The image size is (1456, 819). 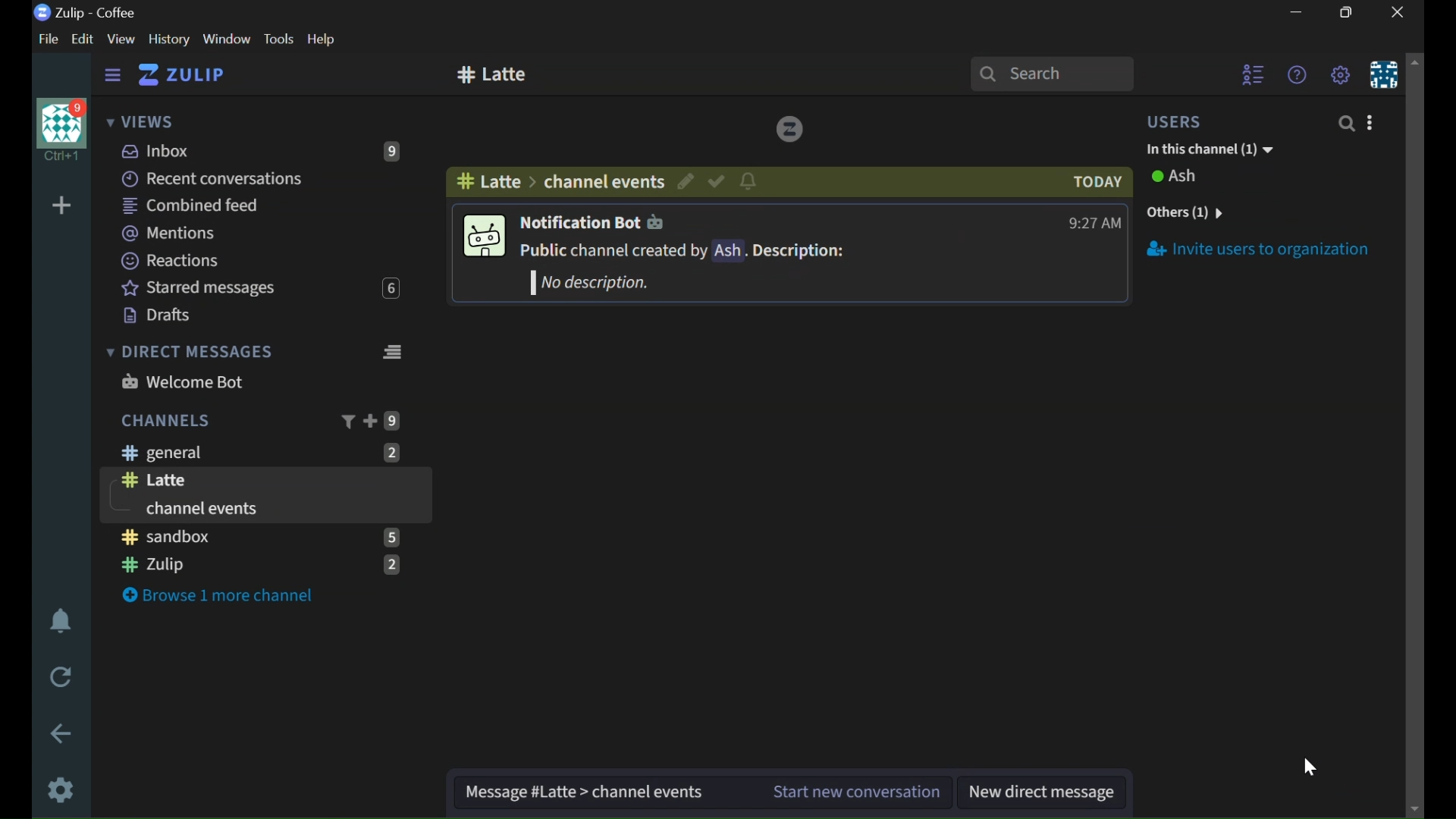 What do you see at coordinates (1384, 74) in the screenshot?
I see `PERSONAL MENU` at bounding box center [1384, 74].